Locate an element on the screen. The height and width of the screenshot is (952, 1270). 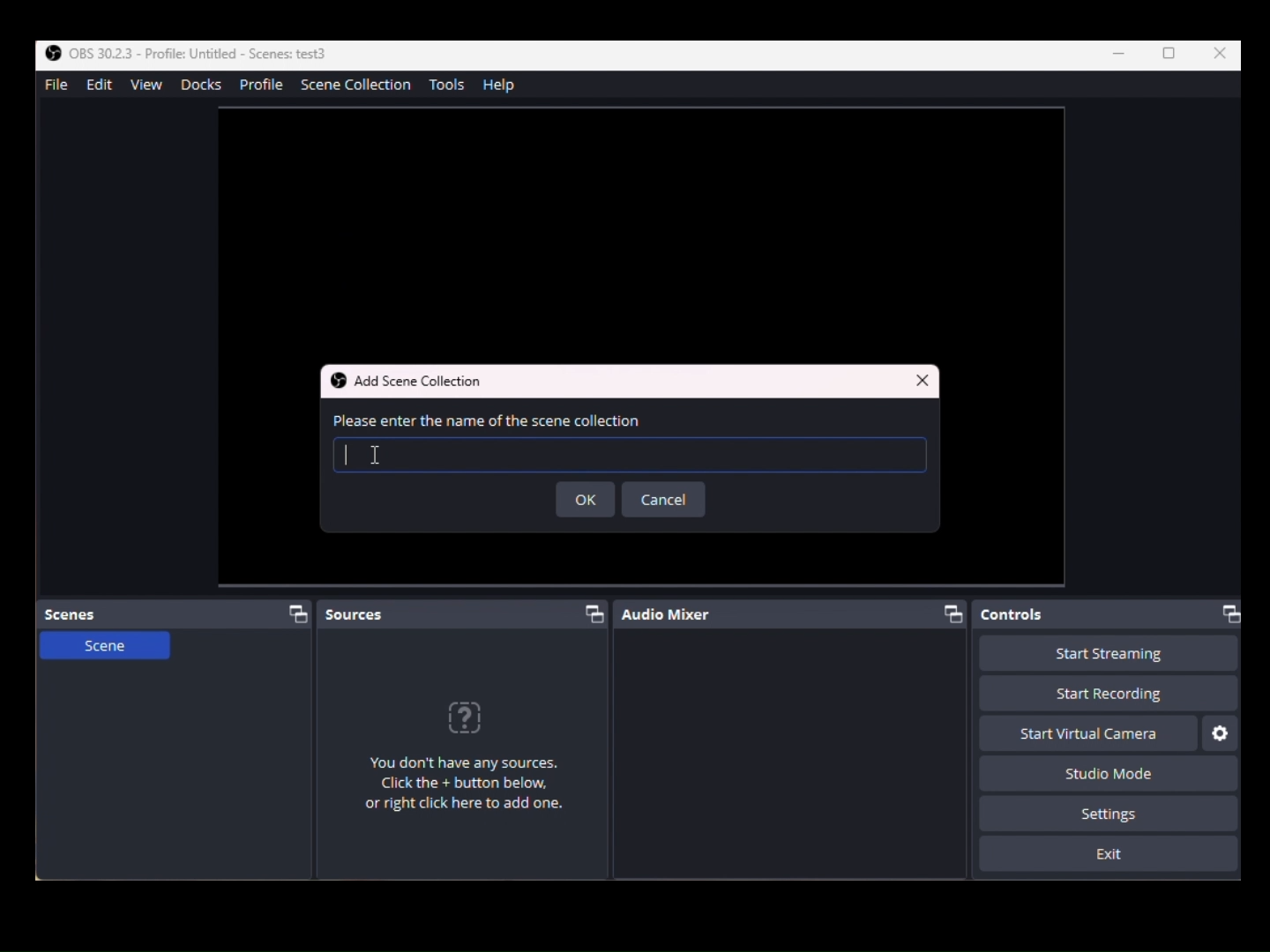
Tools is located at coordinates (451, 85).